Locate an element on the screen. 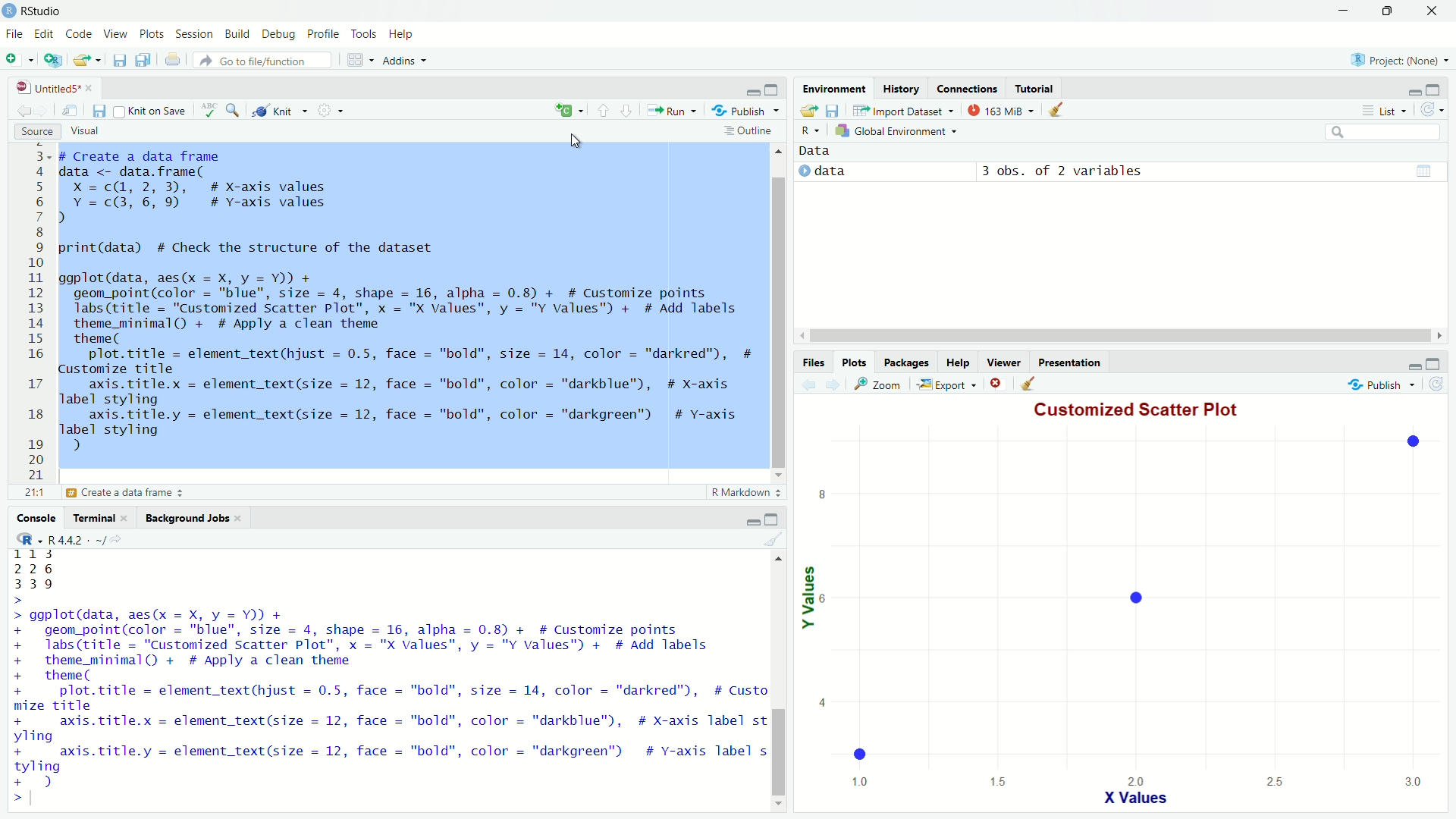  Open an existing file is located at coordinates (88, 60).